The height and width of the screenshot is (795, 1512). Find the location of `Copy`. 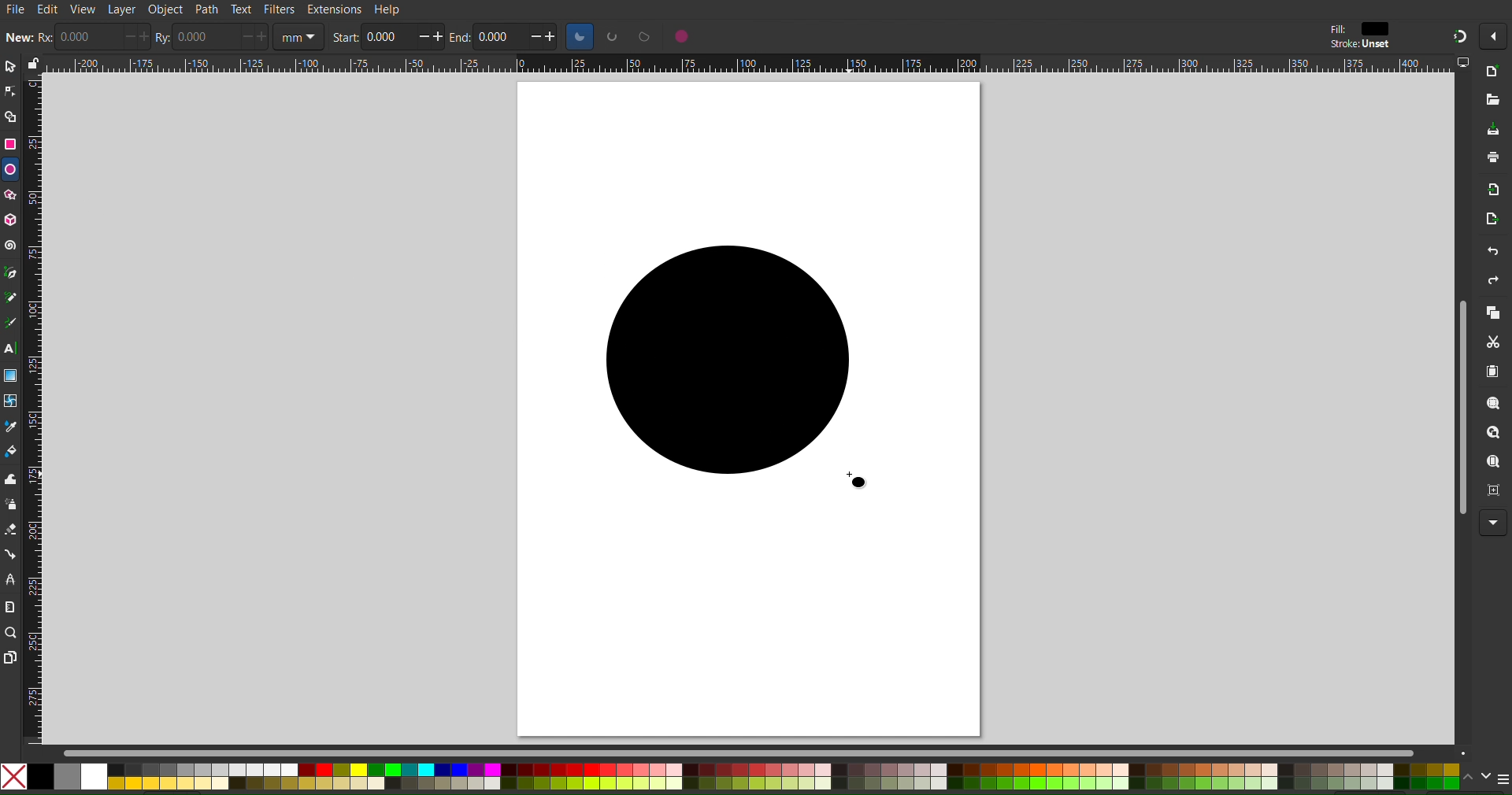

Copy is located at coordinates (1493, 313).